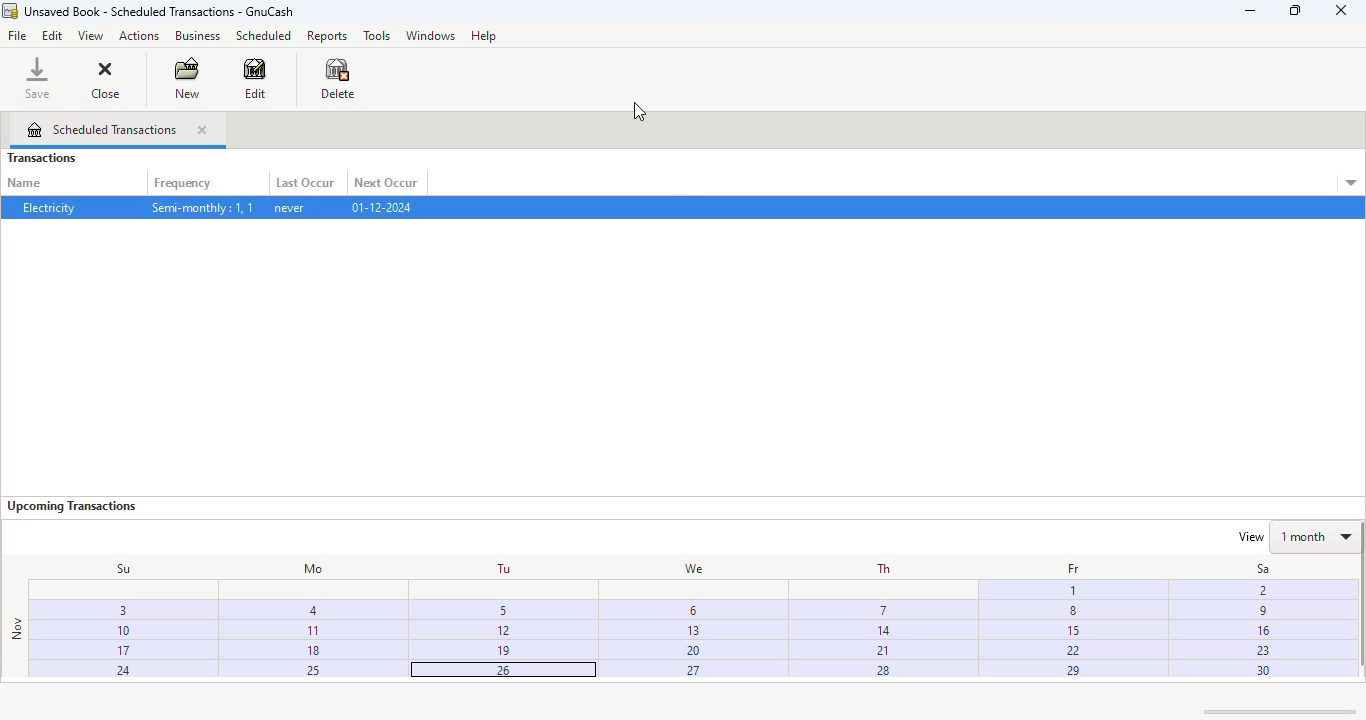 This screenshot has width=1366, height=720. I want to click on new, so click(186, 77).